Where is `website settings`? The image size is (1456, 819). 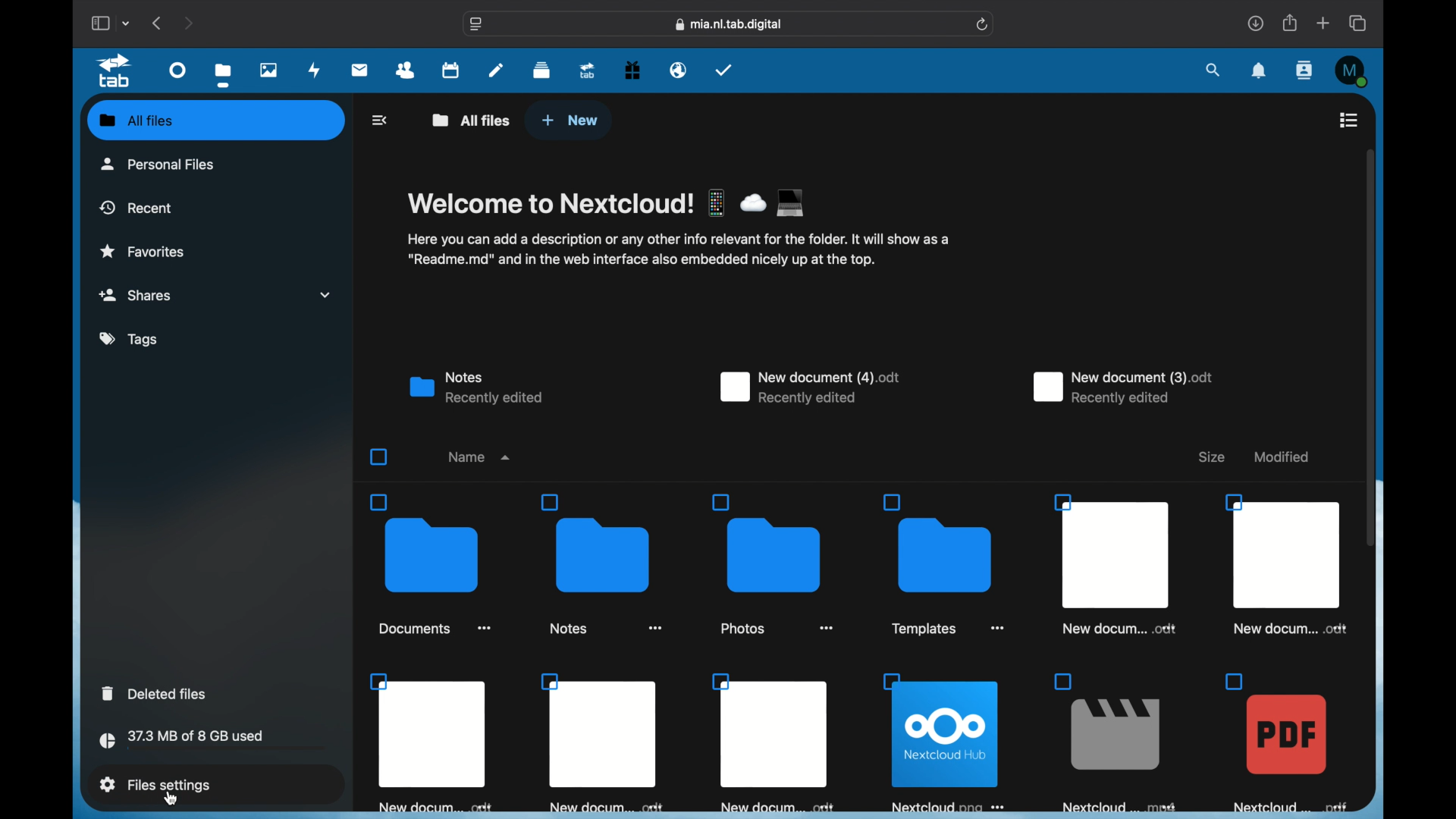
website settings is located at coordinates (476, 24).